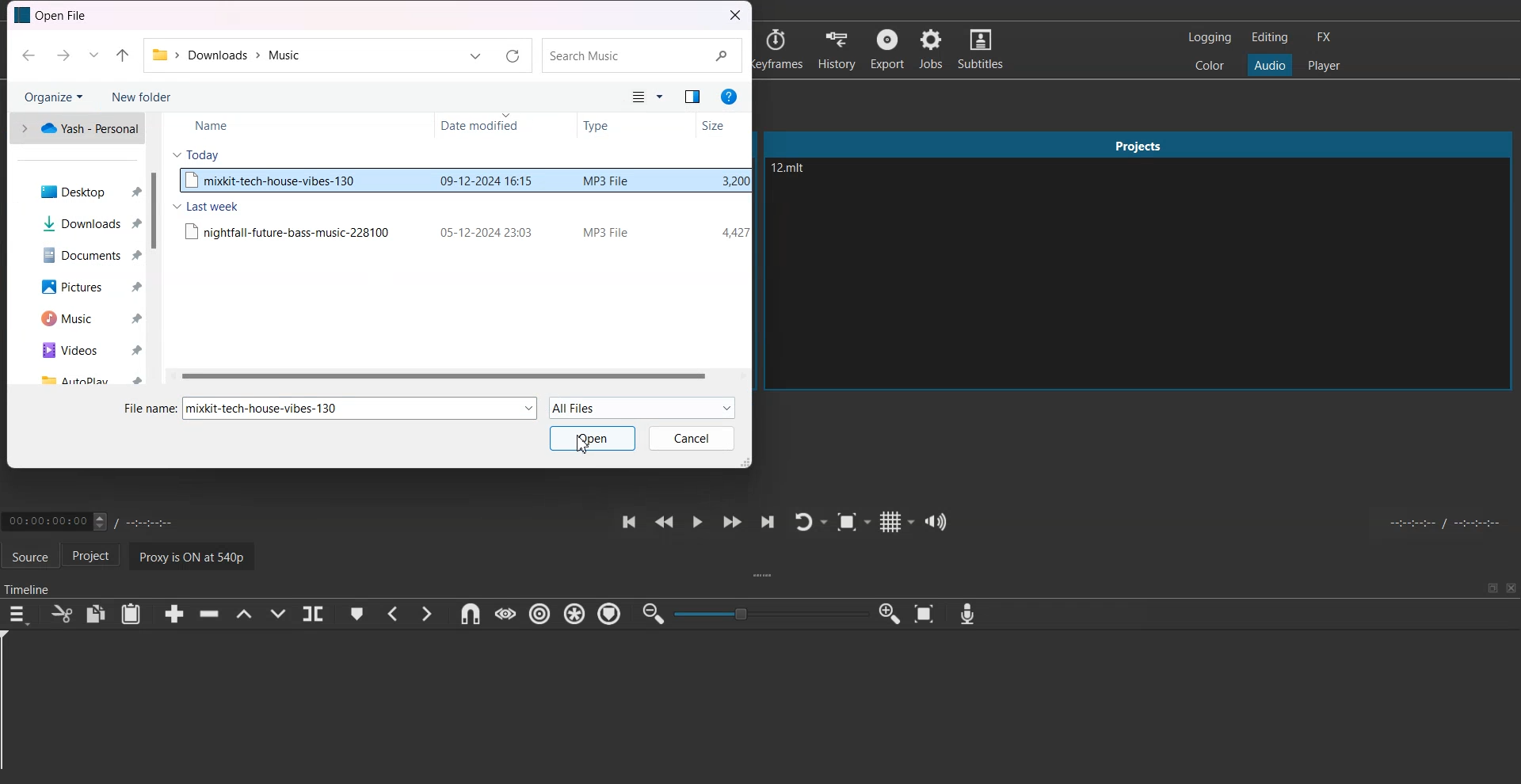 The image size is (1521, 784). I want to click on Cut, so click(60, 614).